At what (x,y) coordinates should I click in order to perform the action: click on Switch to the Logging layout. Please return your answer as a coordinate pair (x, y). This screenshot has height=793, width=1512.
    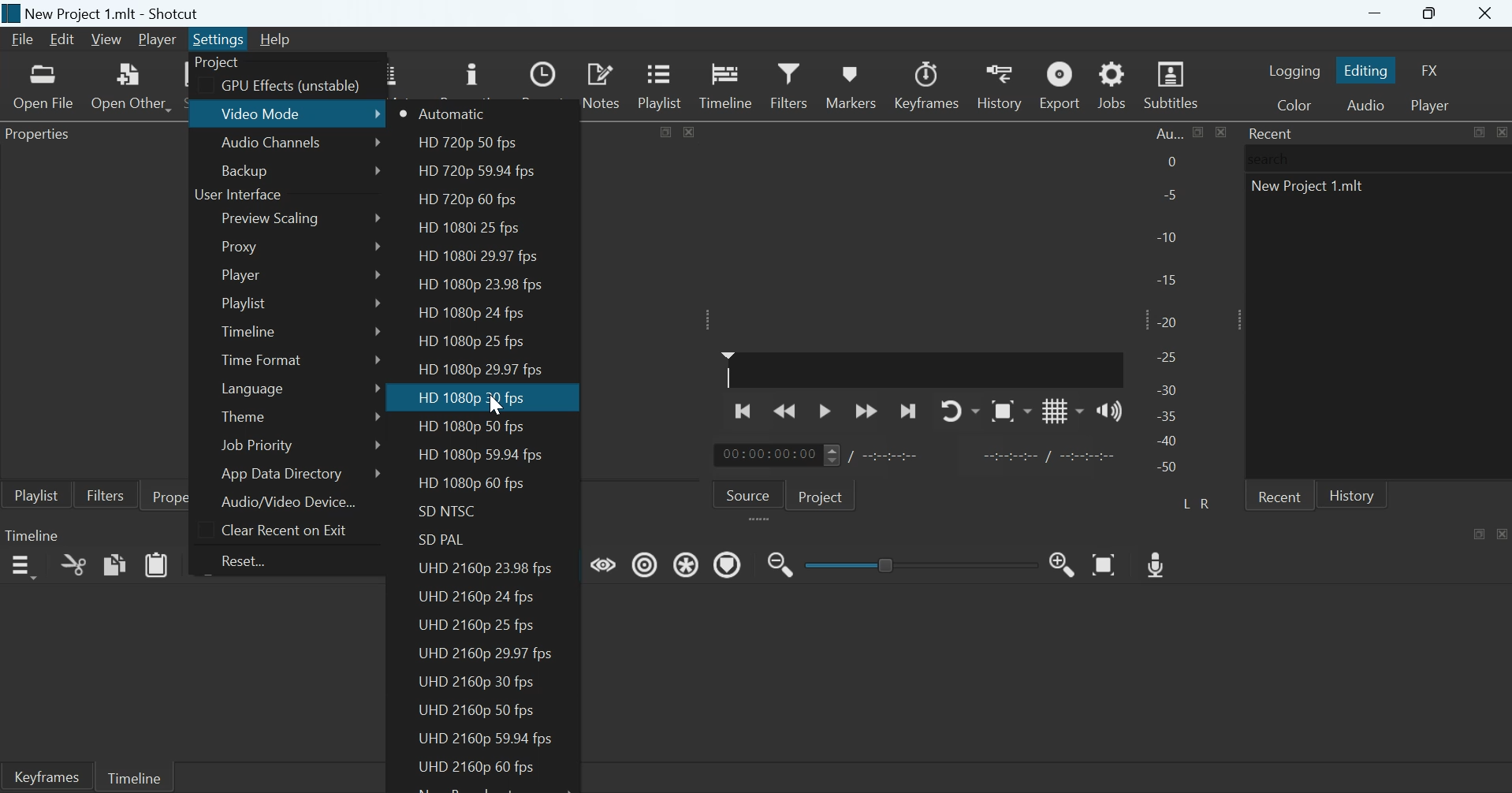
    Looking at the image, I should click on (1294, 70).